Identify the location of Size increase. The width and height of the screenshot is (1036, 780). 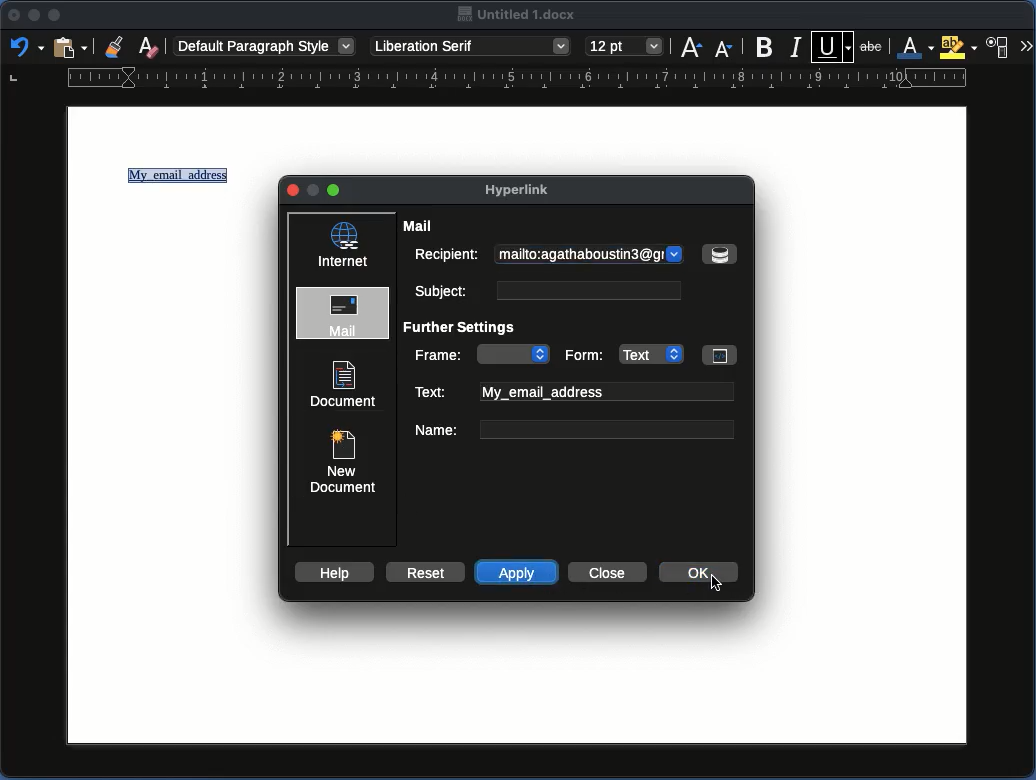
(691, 47).